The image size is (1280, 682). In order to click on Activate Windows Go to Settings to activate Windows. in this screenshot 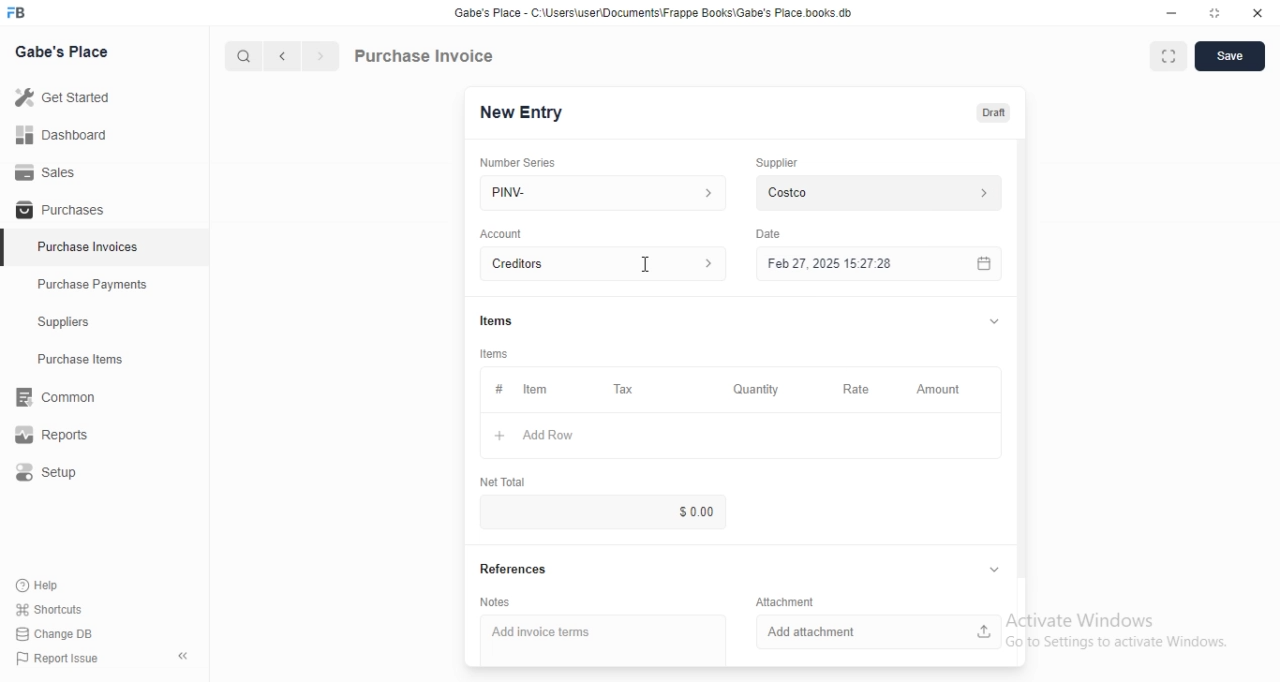, I will do `click(1117, 630)`.